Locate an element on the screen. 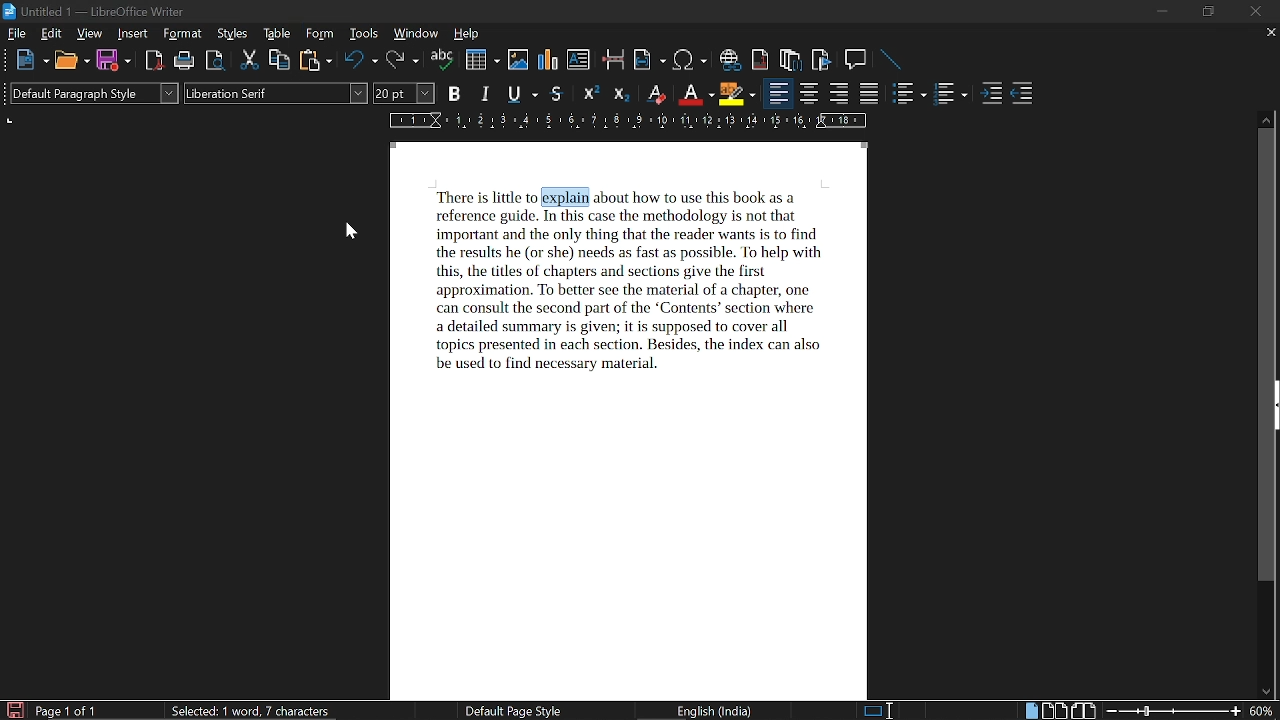 The image size is (1280, 720). There is little to is located at coordinates (483, 197).